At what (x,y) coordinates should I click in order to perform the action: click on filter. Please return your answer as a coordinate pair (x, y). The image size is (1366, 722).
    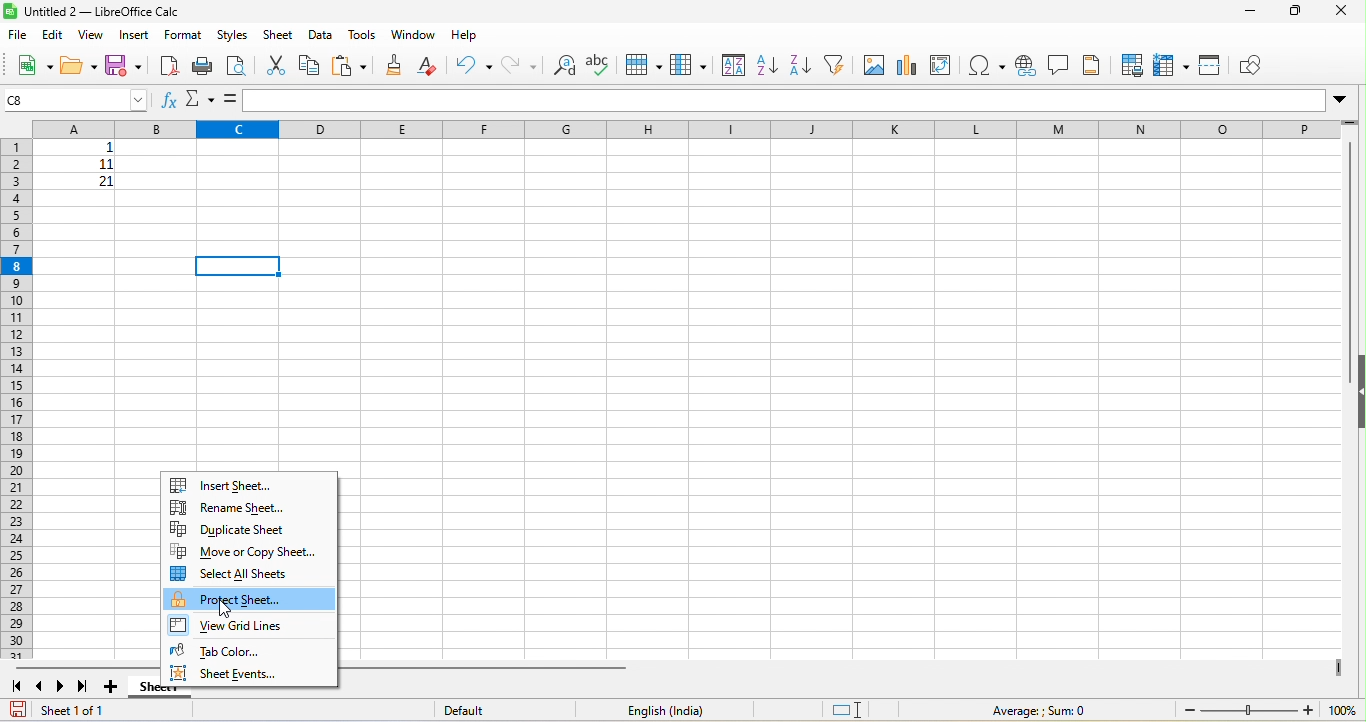
    Looking at the image, I should click on (833, 64).